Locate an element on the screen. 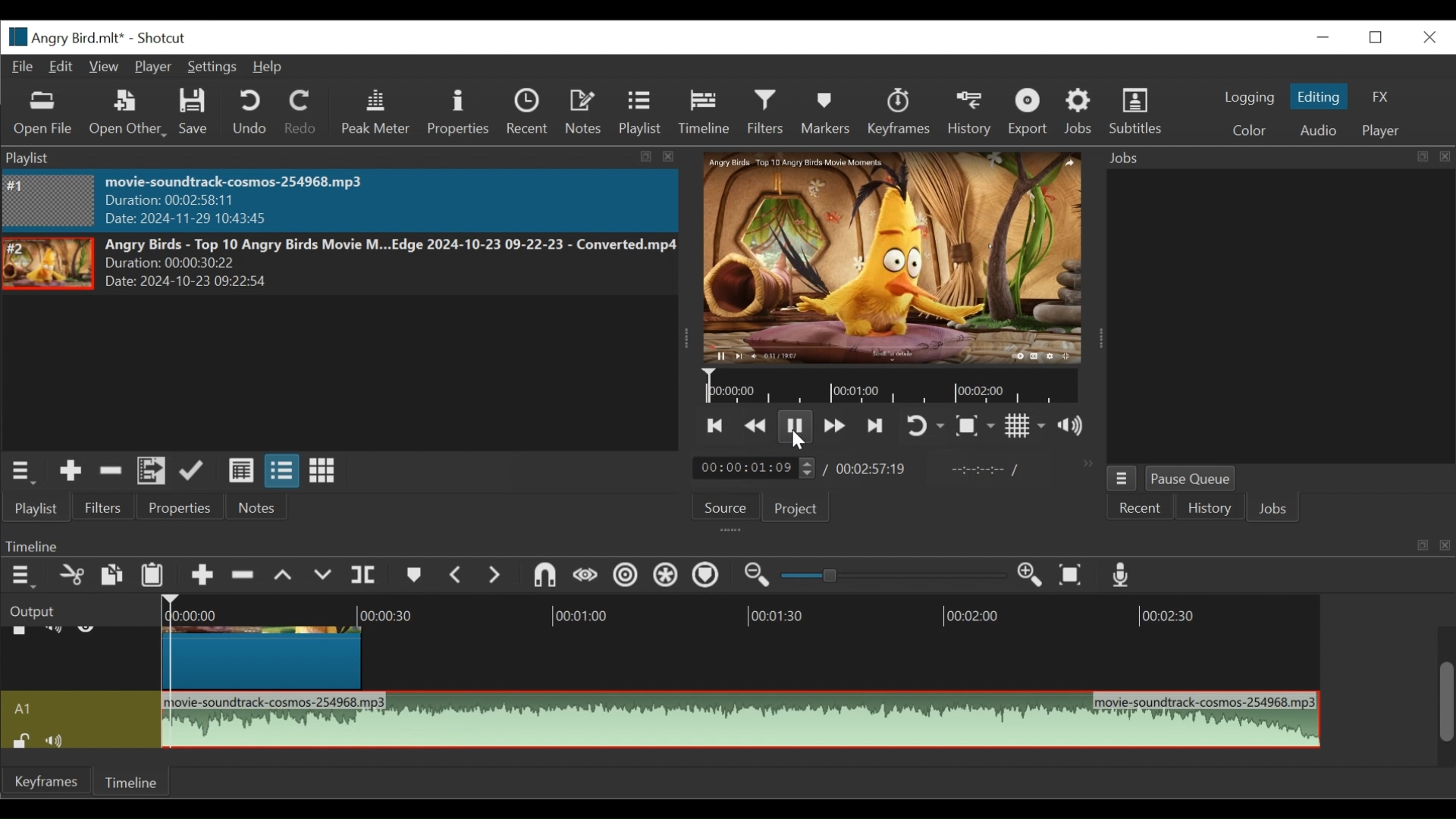 Image resolution: width=1456 pixels, height=819 pixels. Shotcut is located at coordinates (165, 38).